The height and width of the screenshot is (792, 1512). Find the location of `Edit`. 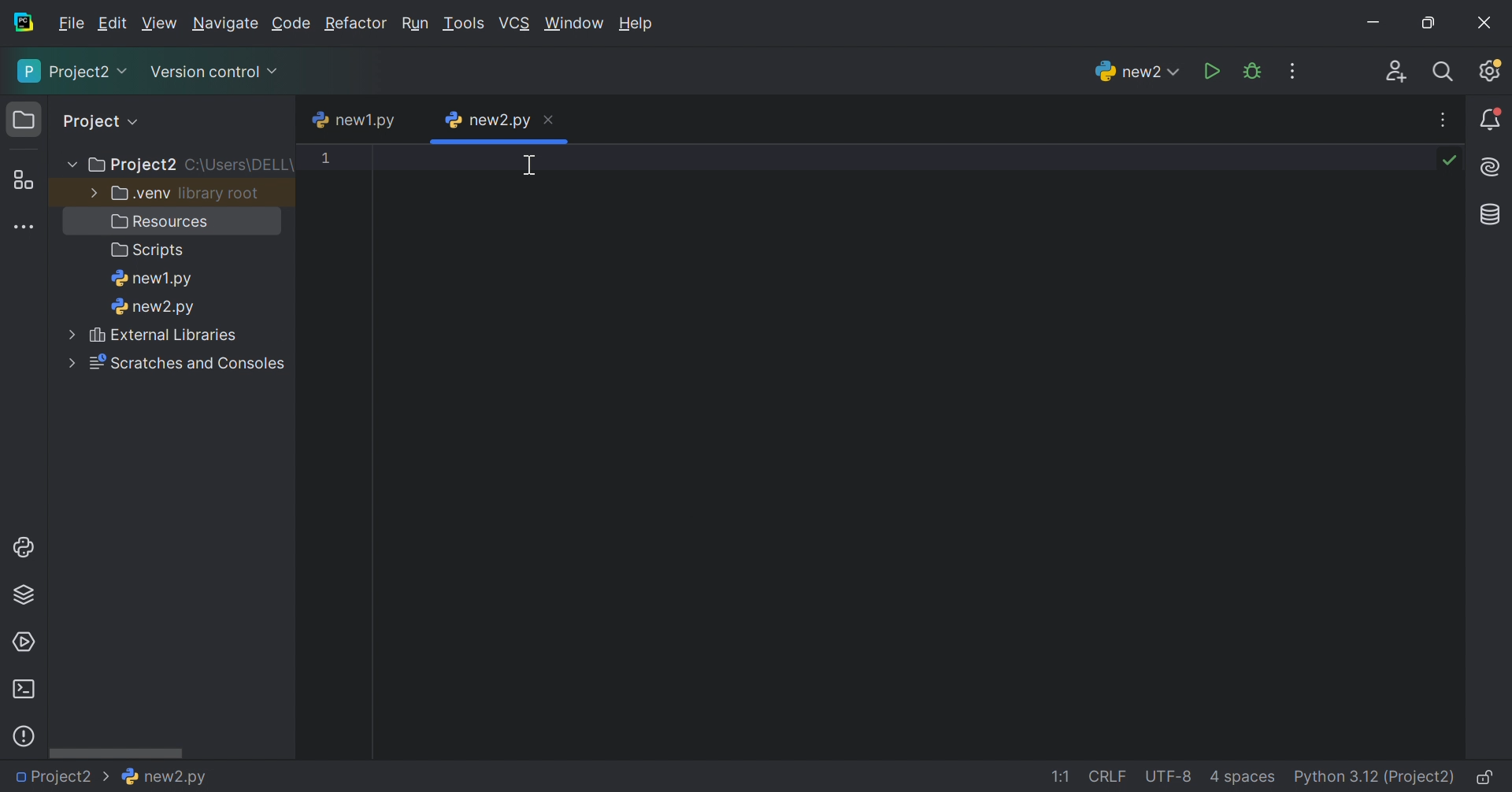

Edit is located at coordinates (113, 23).